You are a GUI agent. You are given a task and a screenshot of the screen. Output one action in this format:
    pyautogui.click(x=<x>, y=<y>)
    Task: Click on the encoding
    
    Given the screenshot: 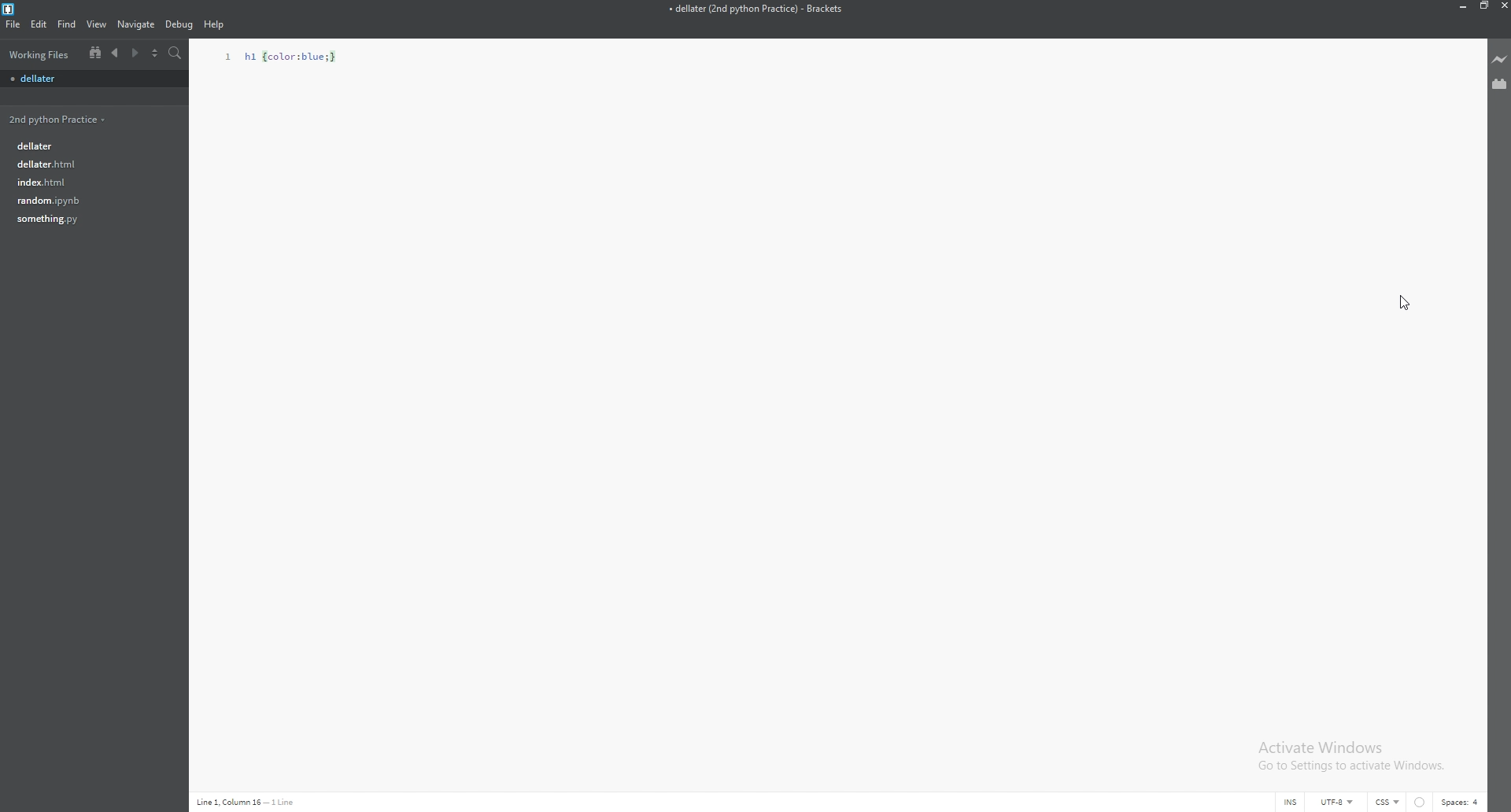 What is the action you would take?
    pyautogui.click(x=1324, y=802)
    